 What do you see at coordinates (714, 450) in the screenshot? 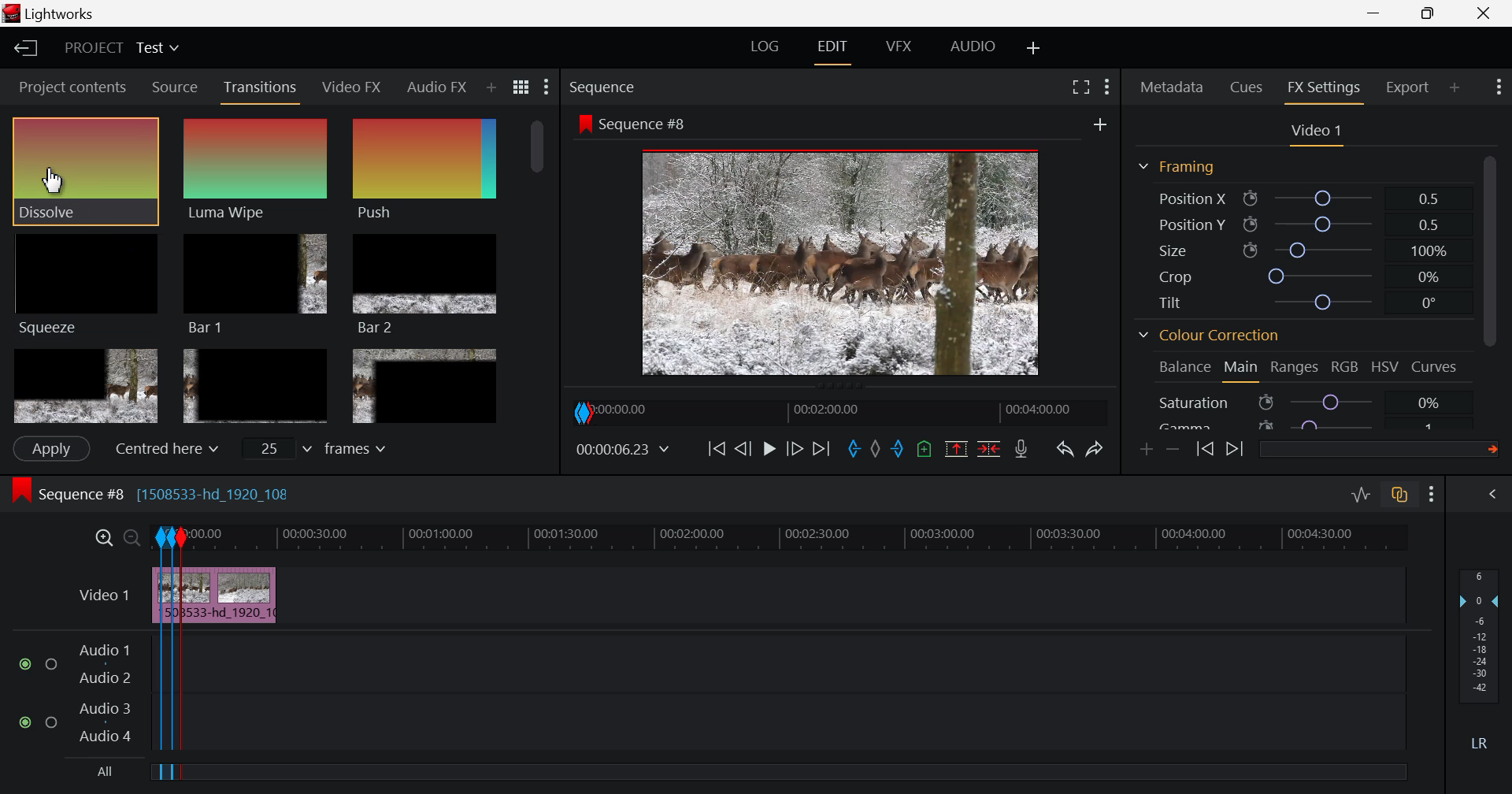
I see `To Beginning` at bounding box center [714, 450].